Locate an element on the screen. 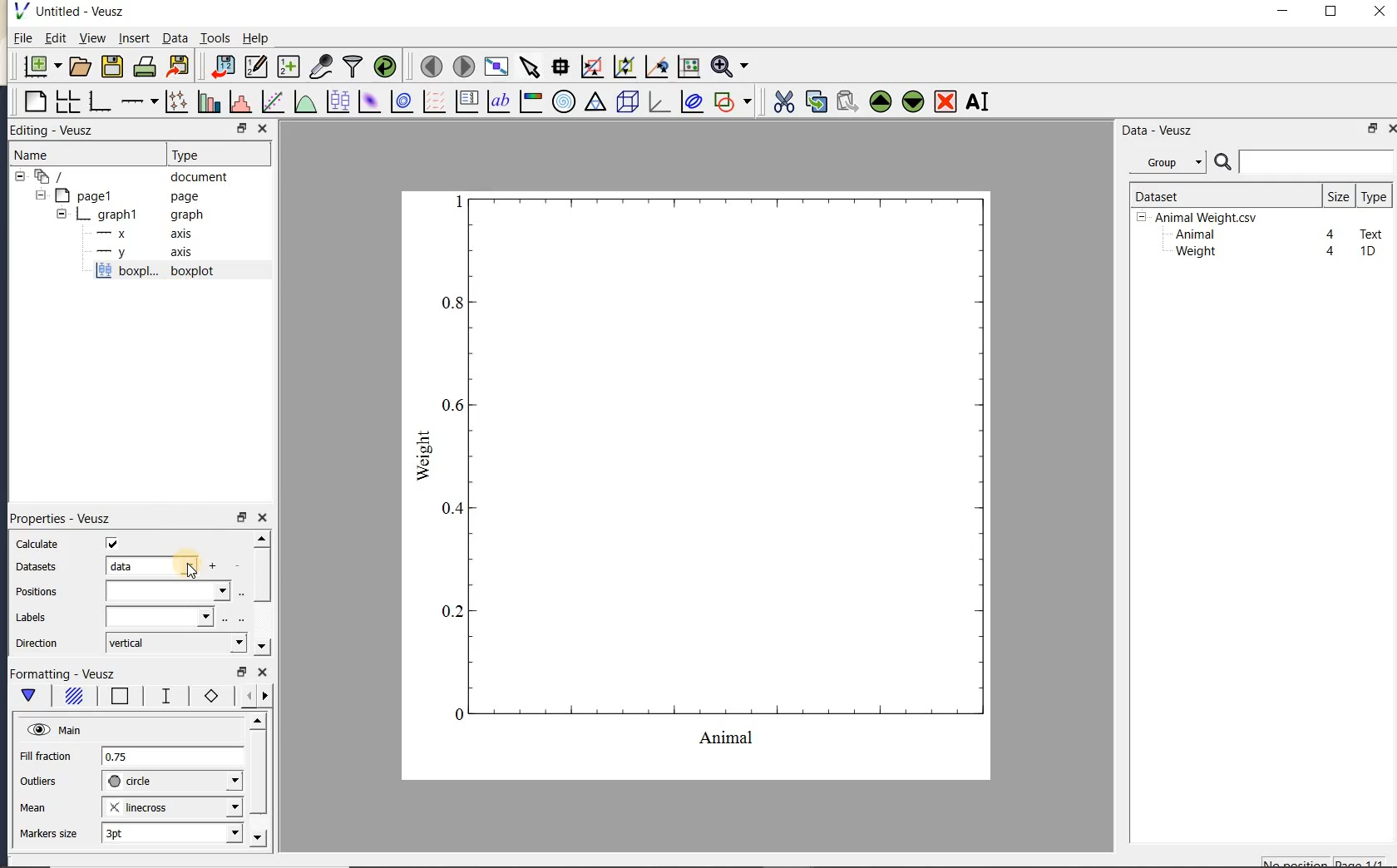 This screenshot has width=1397, height=868. Name is located at coordinates (49, 155).